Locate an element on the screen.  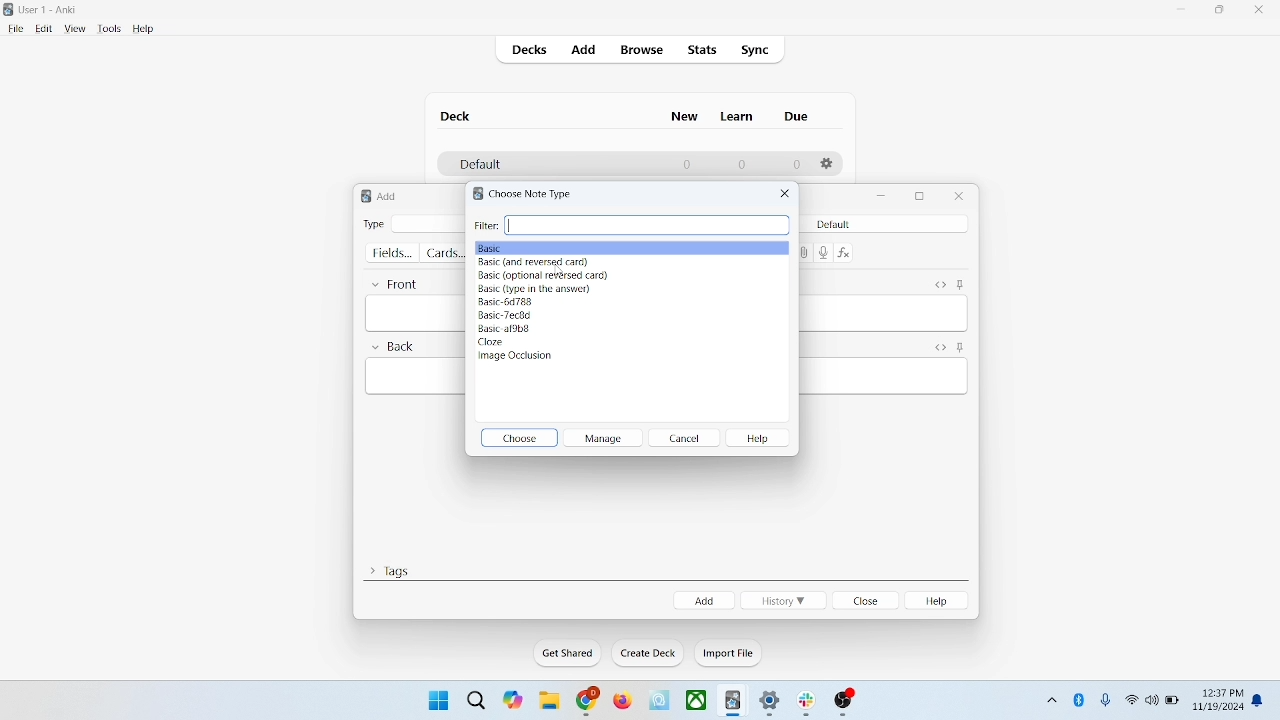
learn is located at coordinates (736, 116).